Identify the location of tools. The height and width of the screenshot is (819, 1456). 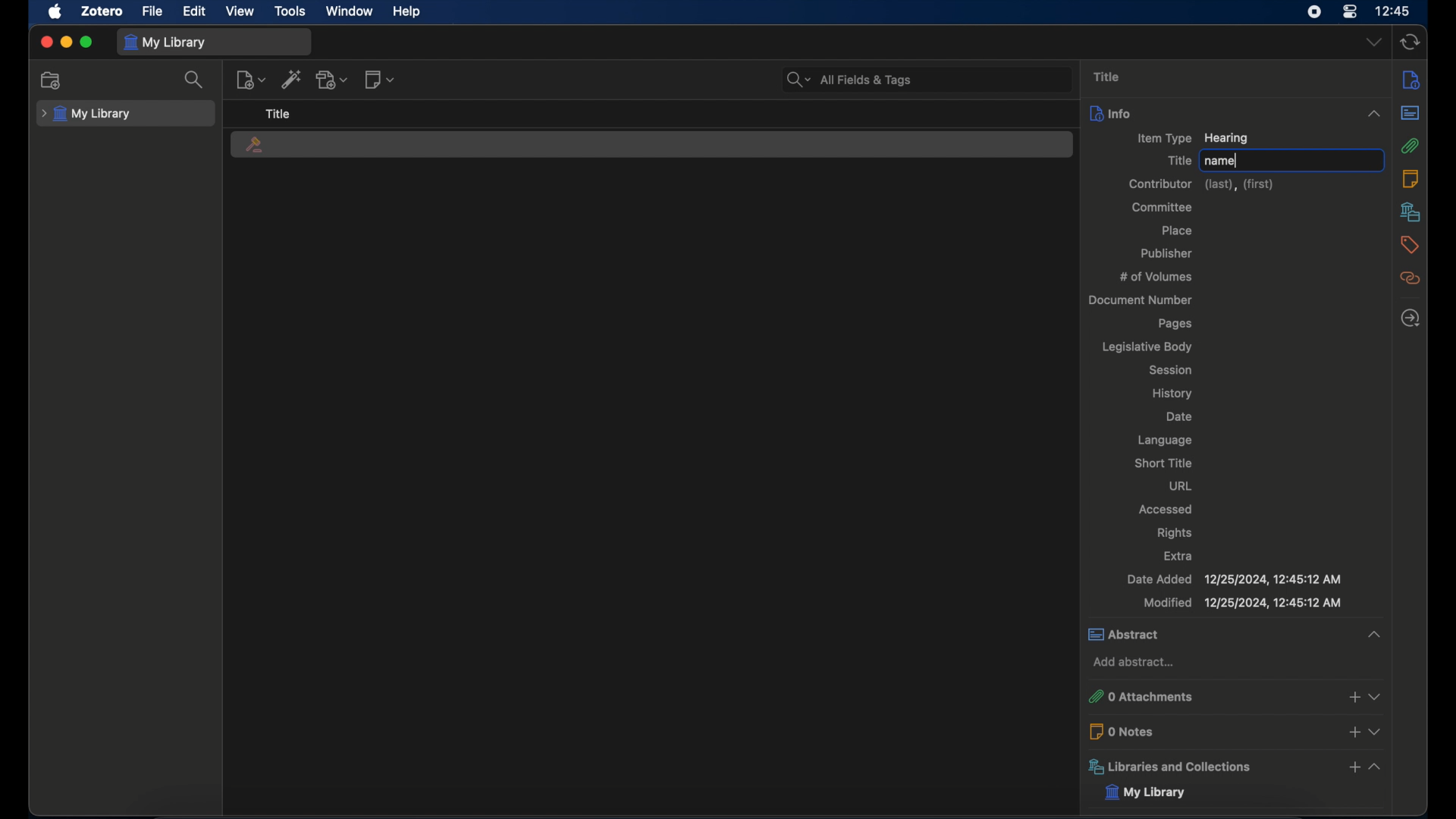
(290, 11).